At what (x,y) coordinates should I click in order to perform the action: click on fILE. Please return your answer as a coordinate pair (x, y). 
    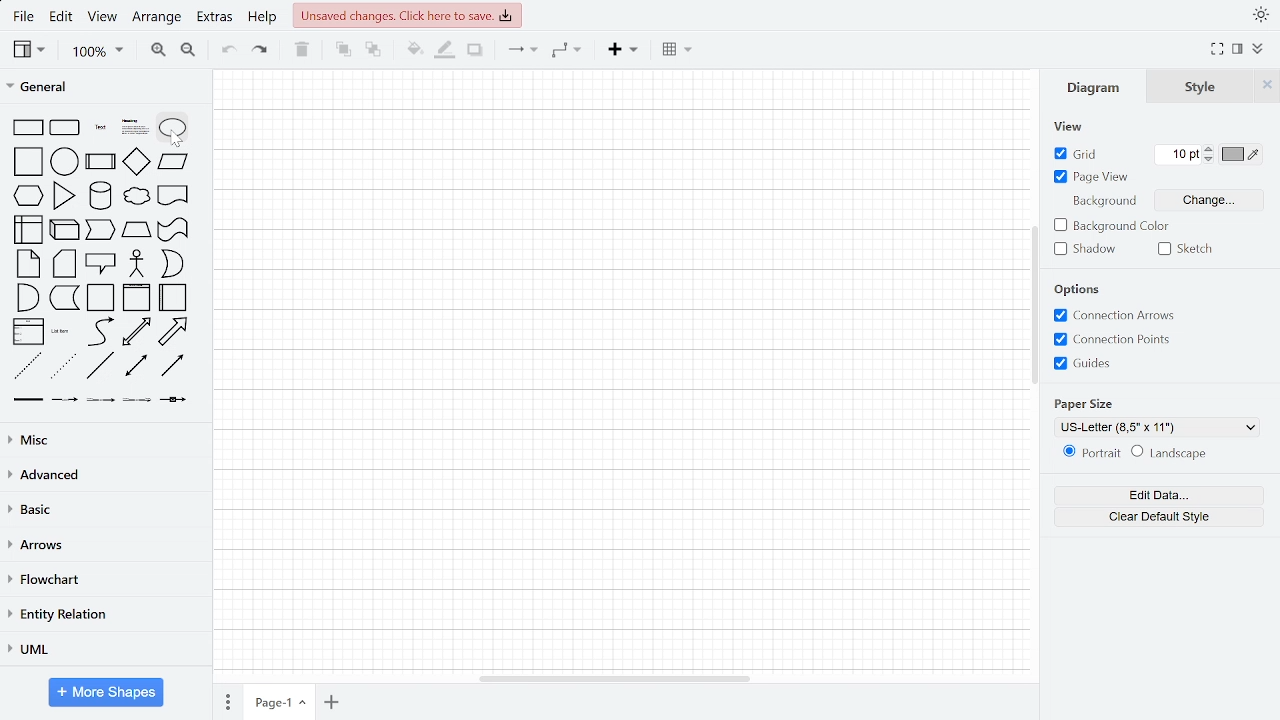
    Looking at the image, I should click on (20, 19).